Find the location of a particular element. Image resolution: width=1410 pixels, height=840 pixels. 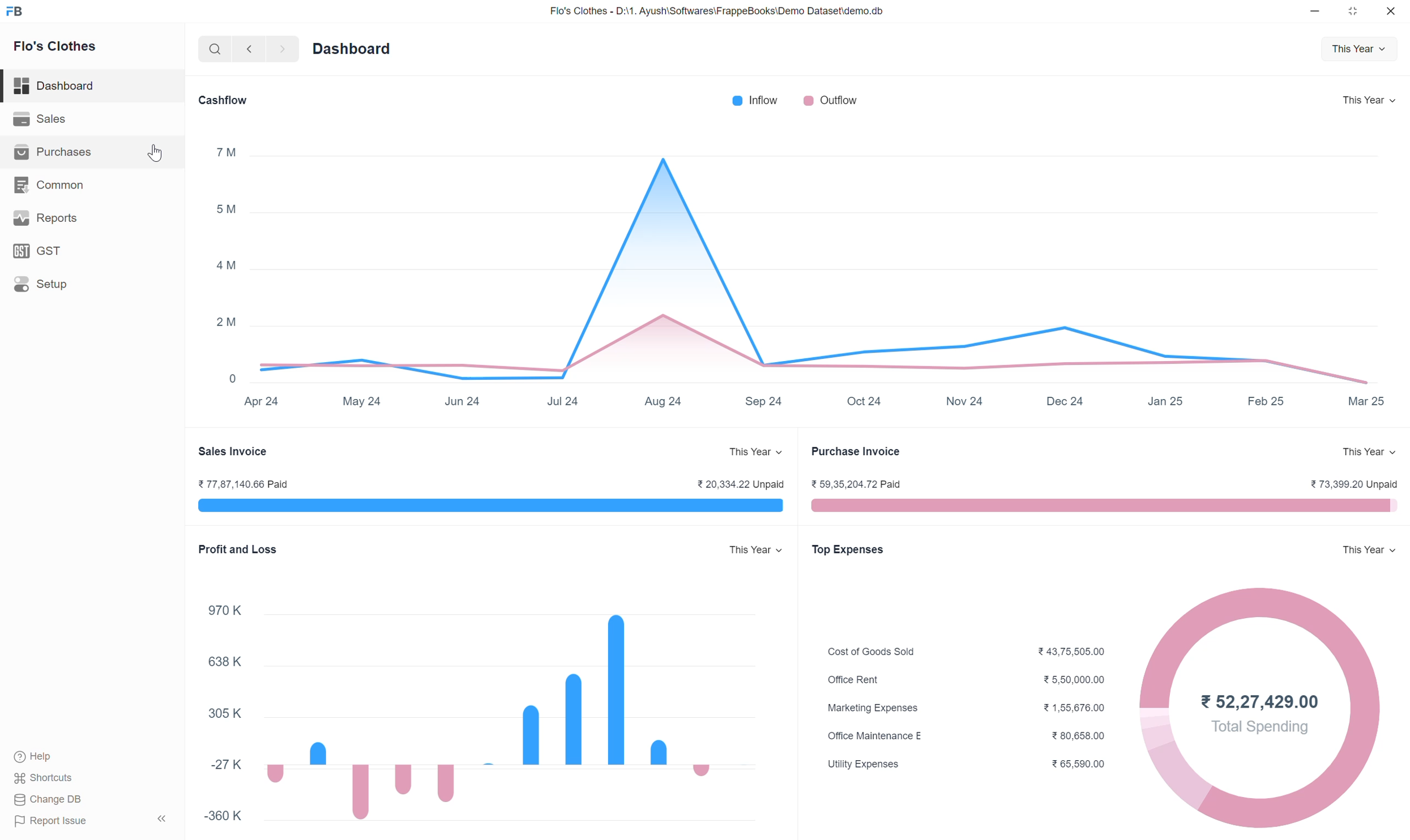

Cashflow is located at coordinates (222, 100).